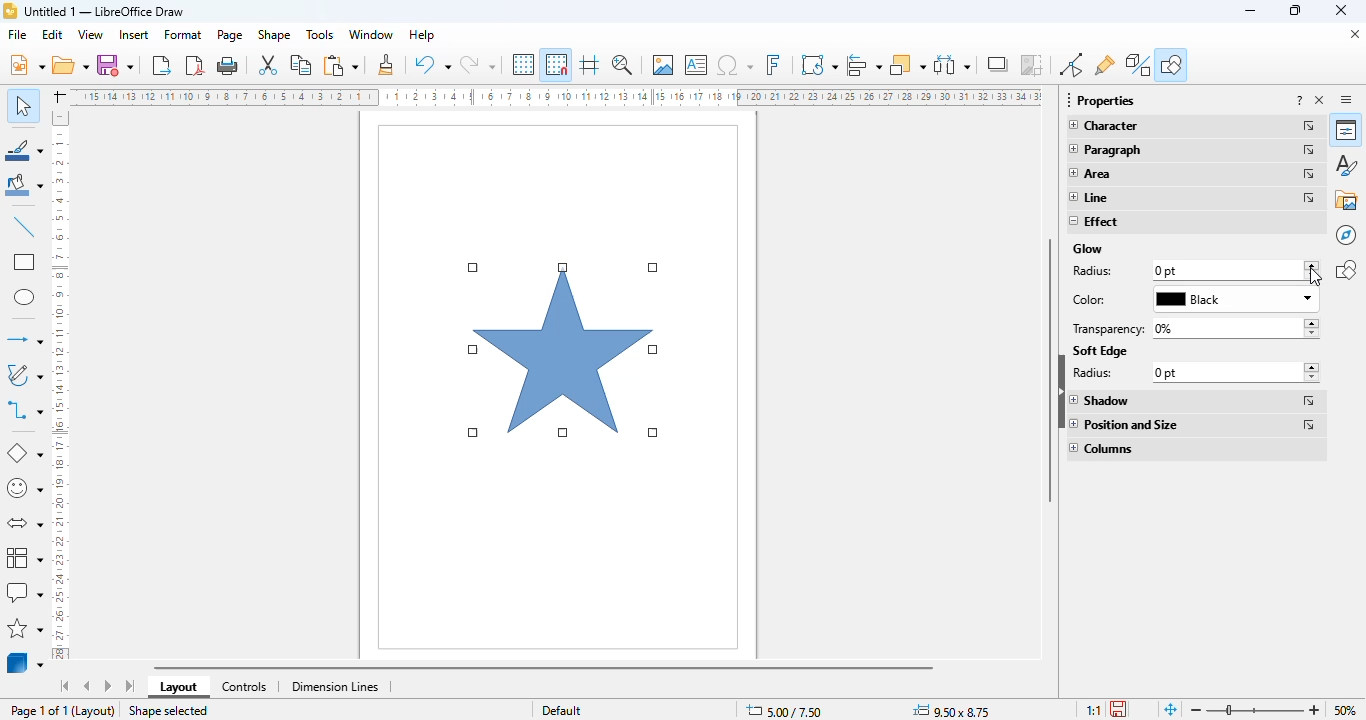 The height and width of the screenshot is (720, 1366). Describe the element at coordinates (245, 688) in the screenshot. I see `controls` at that location.